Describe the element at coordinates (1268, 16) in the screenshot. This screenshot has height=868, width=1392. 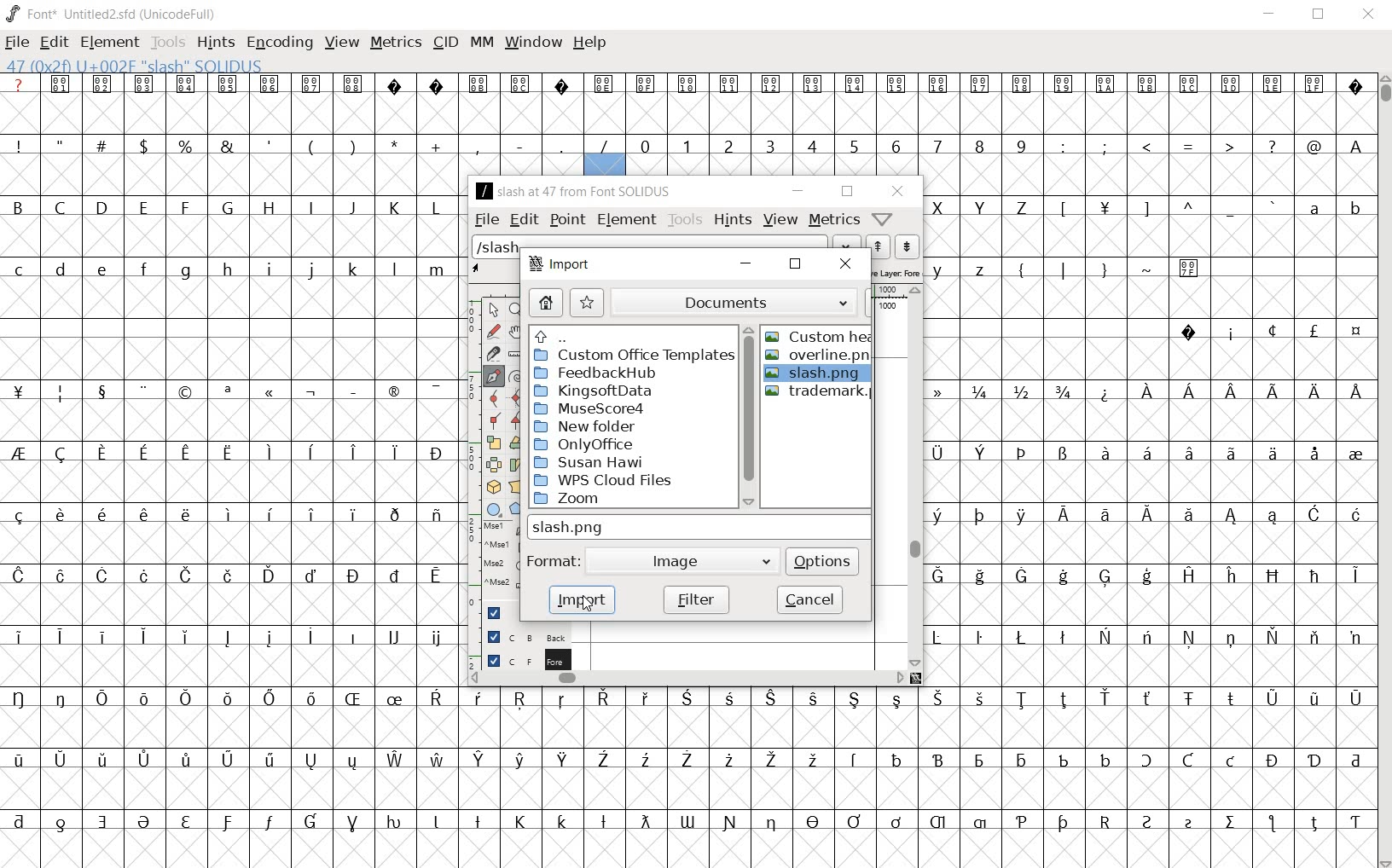
I see `MINIMIZE` at that location.